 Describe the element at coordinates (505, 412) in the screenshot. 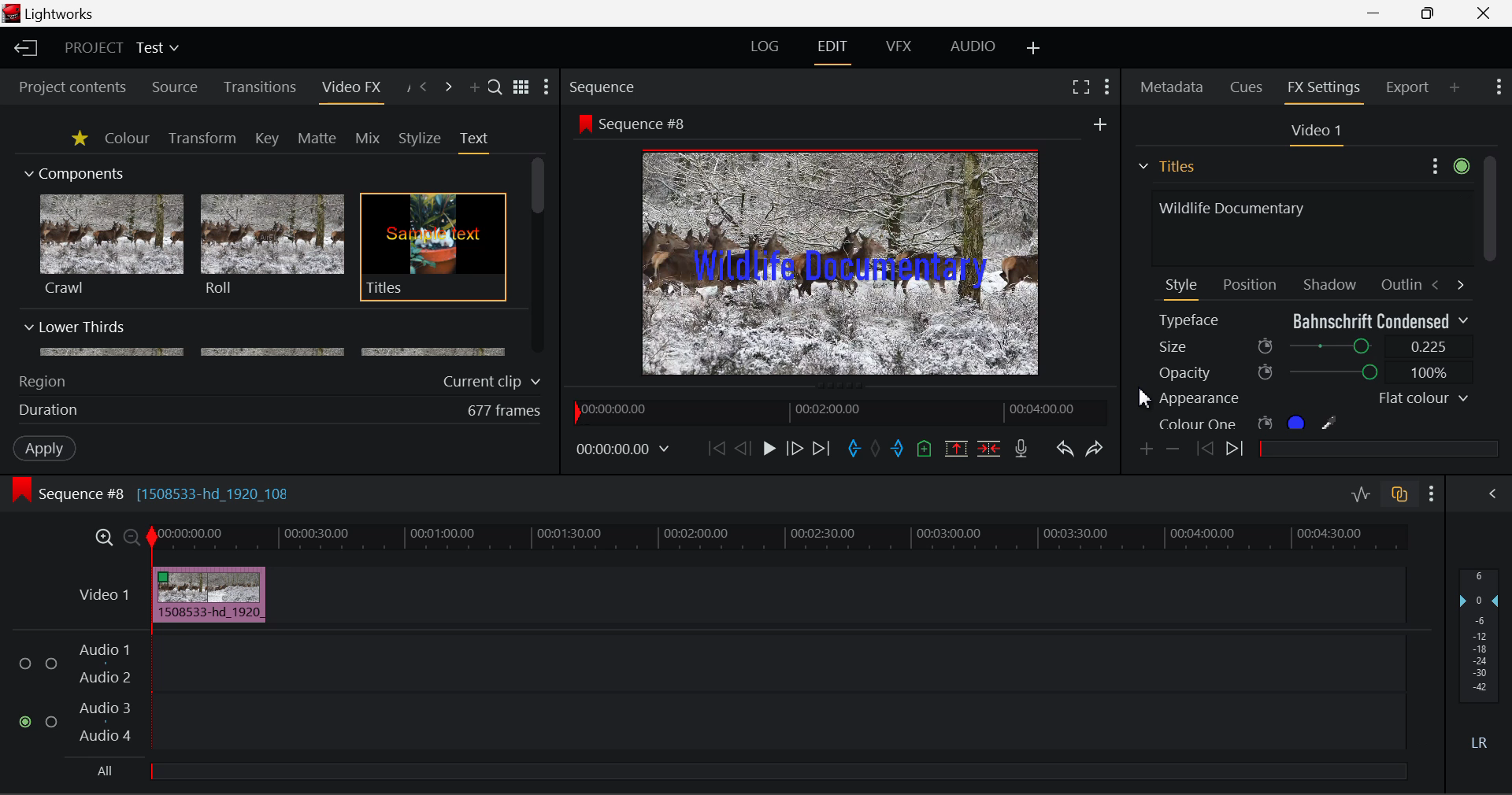

I see `677 frames` at that location.